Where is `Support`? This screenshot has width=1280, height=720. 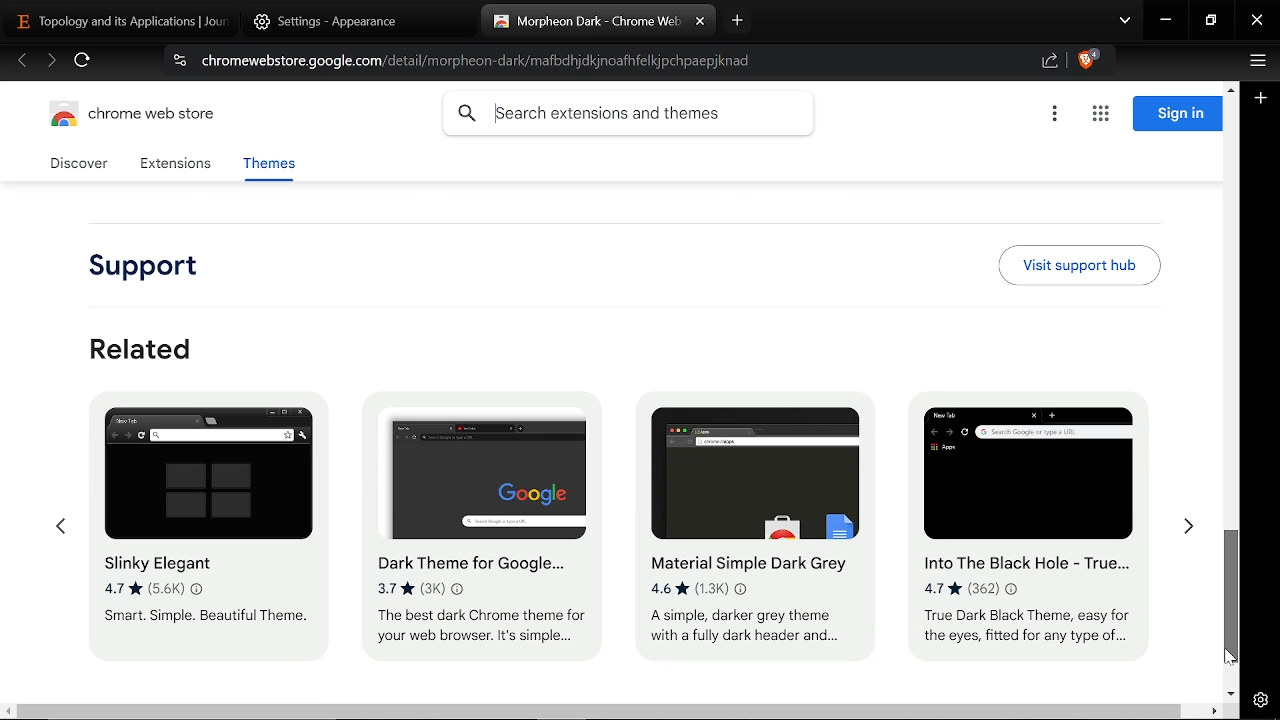 Support is located at coordinates (154, 268).